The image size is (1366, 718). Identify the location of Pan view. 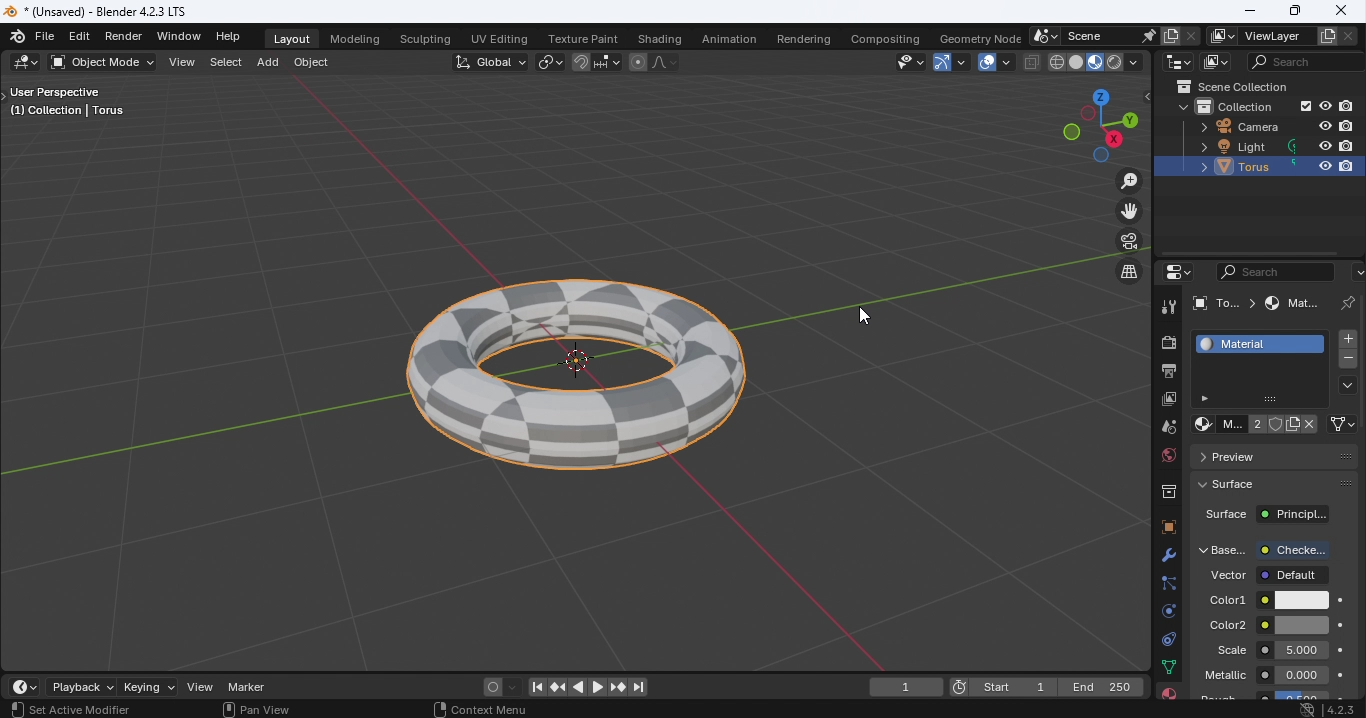
(255, 710).